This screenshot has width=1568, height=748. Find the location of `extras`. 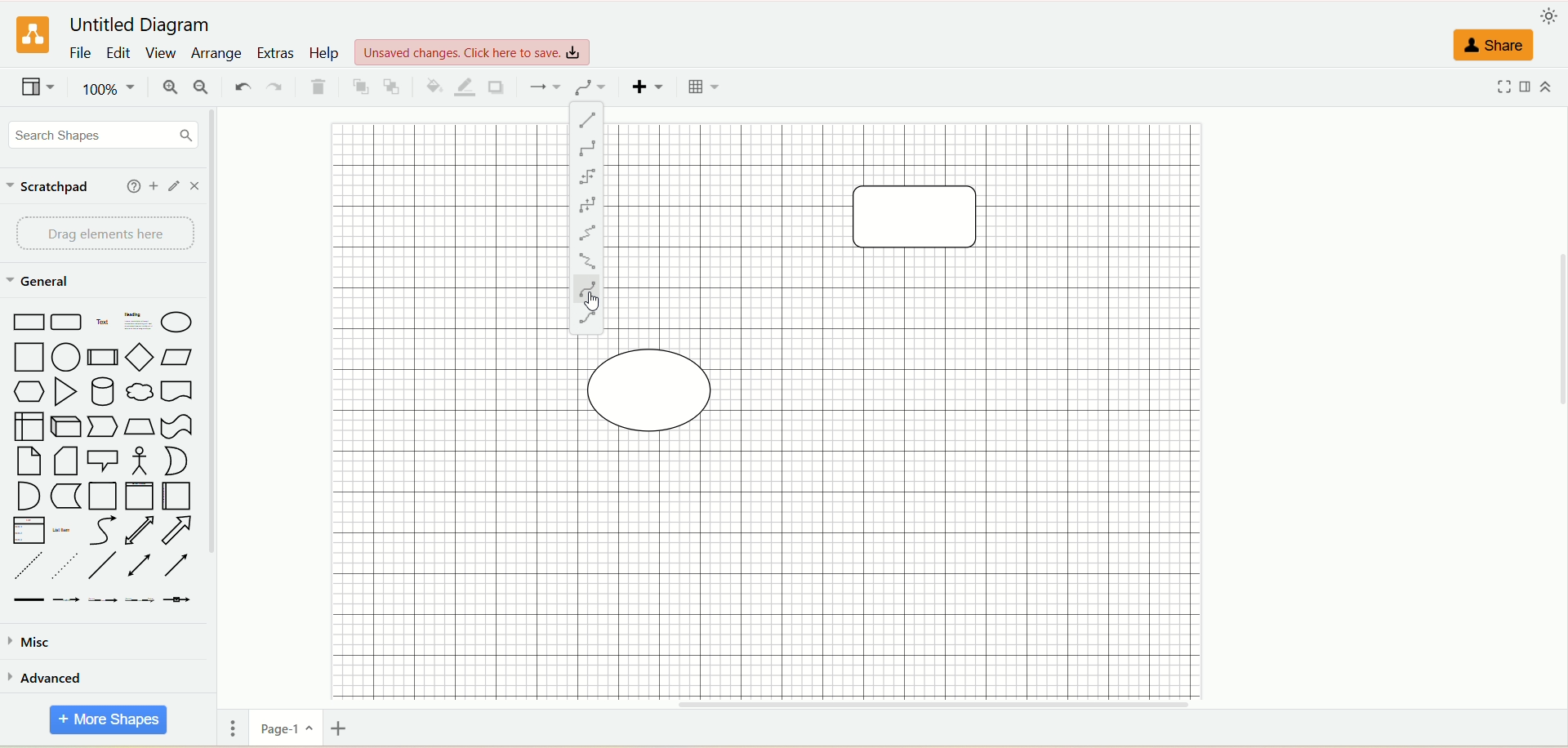

extras is located at coordinates (276, 51).